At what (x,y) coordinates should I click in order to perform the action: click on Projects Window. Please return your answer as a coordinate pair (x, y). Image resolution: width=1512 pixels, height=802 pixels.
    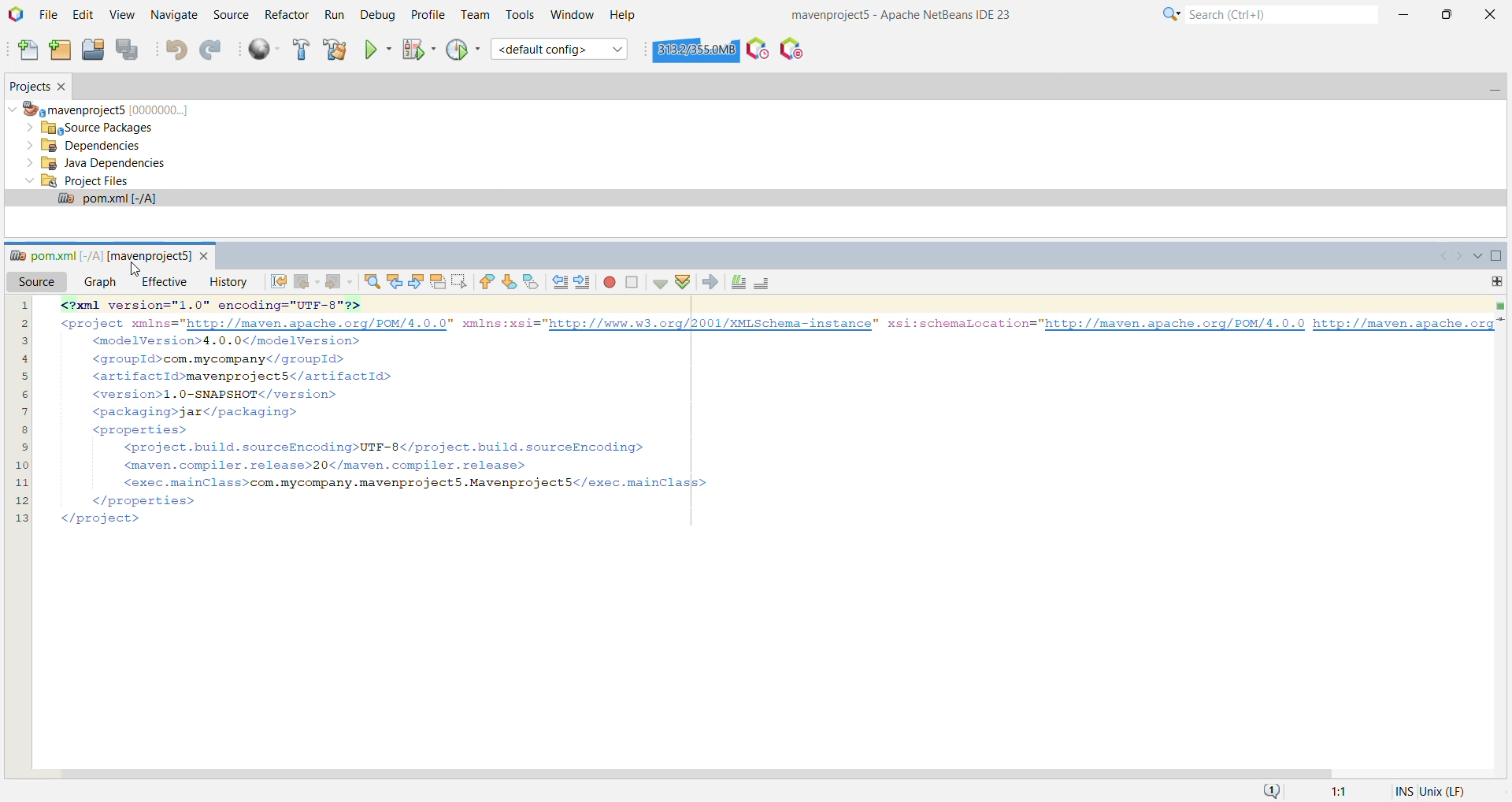
    Looking at the image, I should click on (27, 85).